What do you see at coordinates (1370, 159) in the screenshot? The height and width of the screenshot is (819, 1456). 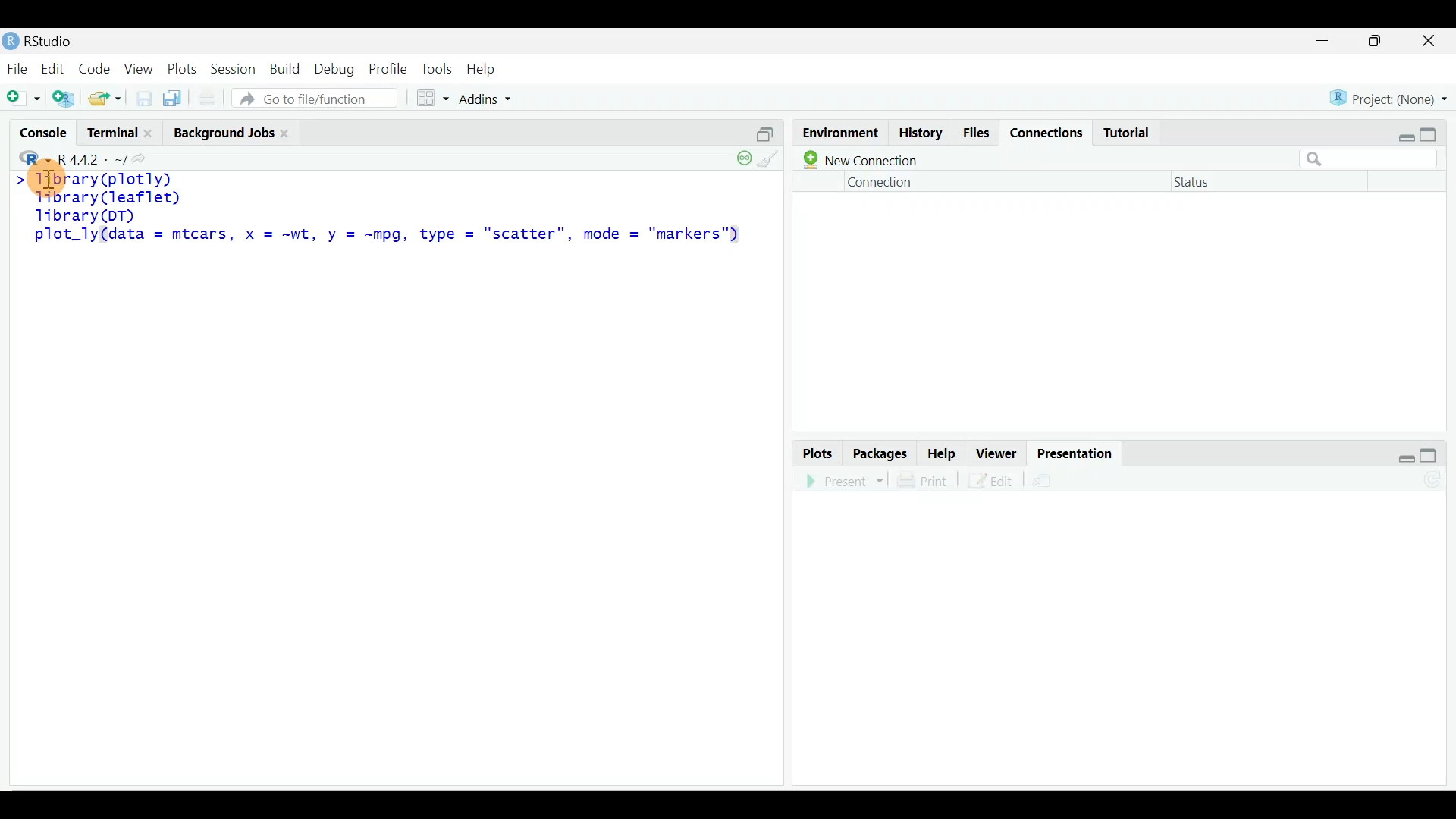 I see `Search bar` at bounding box center [1370, 159].